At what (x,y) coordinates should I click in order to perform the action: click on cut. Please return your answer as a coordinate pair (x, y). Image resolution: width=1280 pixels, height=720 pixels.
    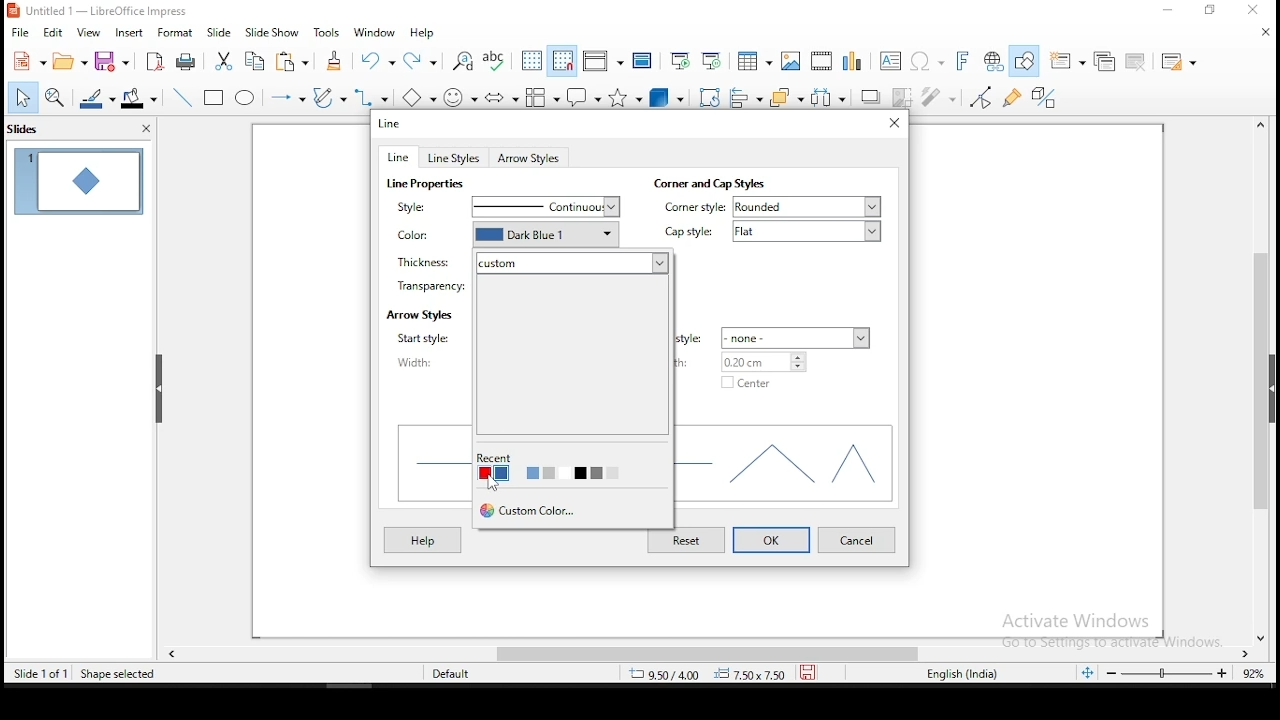
    Looking at the image, I should click on (224, 63).